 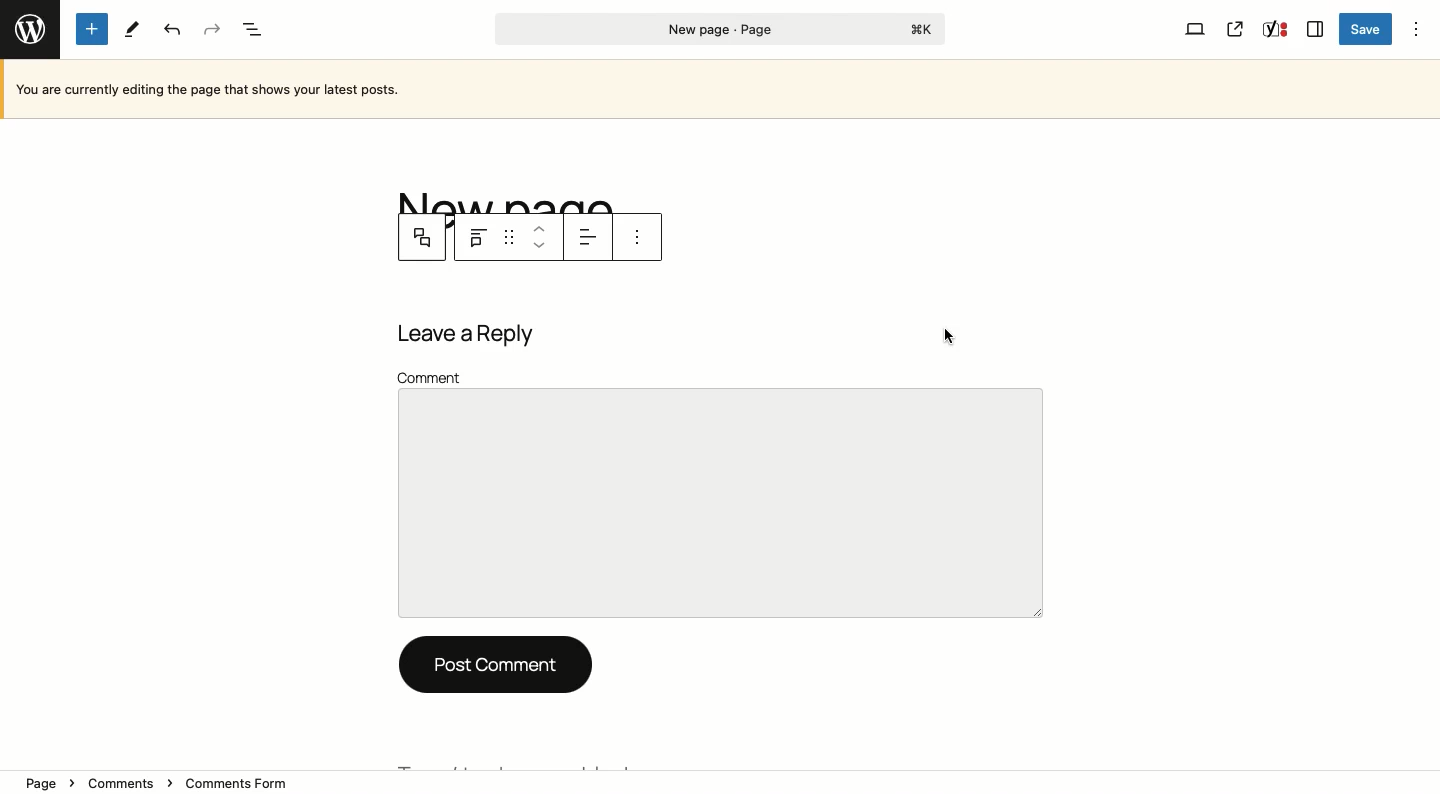 What do you see at coordinates (1417, 29) in the screenshot?
I see `Options` at bounding box center [1417, 29].